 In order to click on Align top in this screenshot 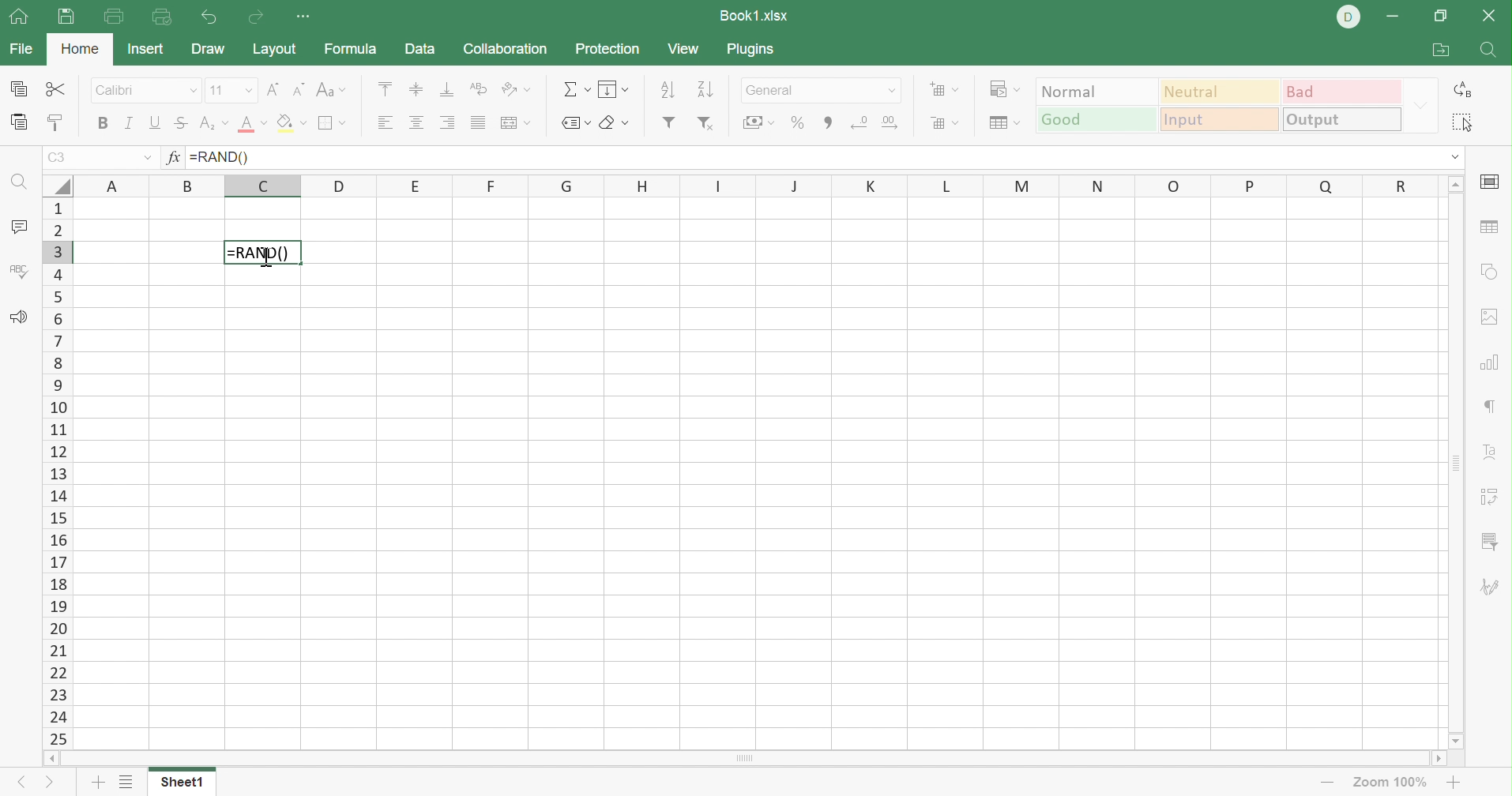, I will do `click(386, 88)`.